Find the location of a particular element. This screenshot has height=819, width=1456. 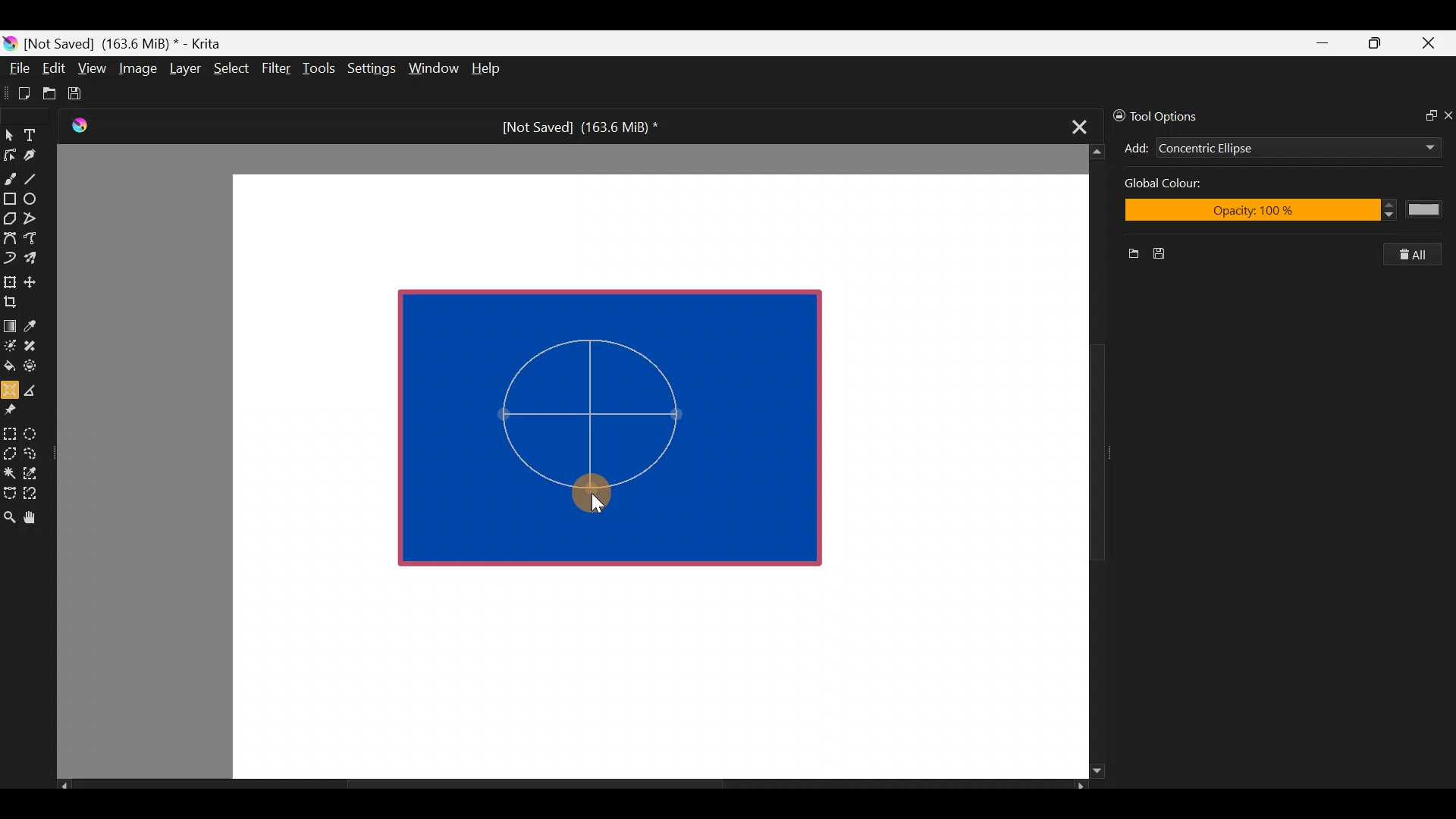

Select shapes tool is located at coordinates (9, 136).